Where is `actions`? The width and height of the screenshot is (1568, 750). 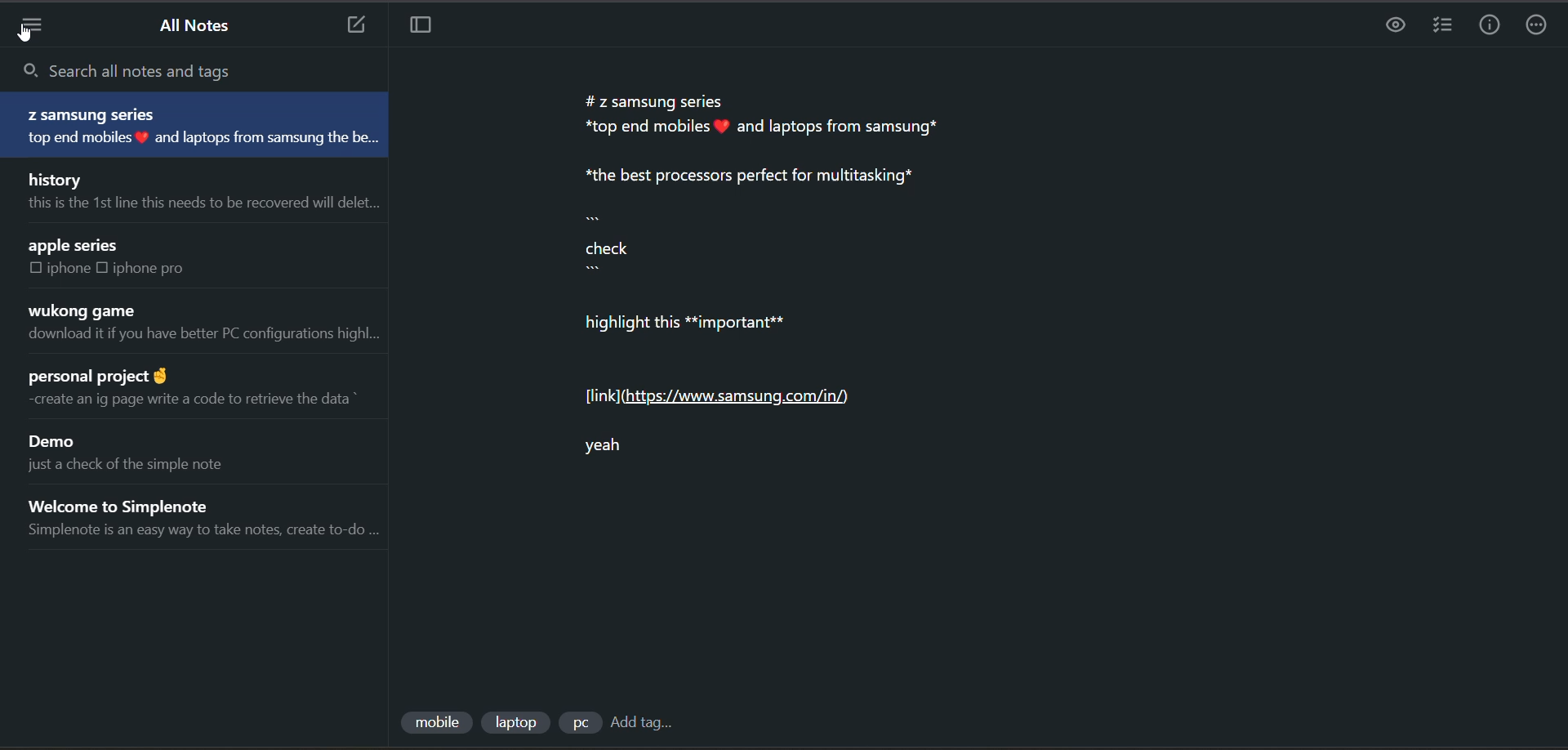
actions is located at coordinates (1542, 25).